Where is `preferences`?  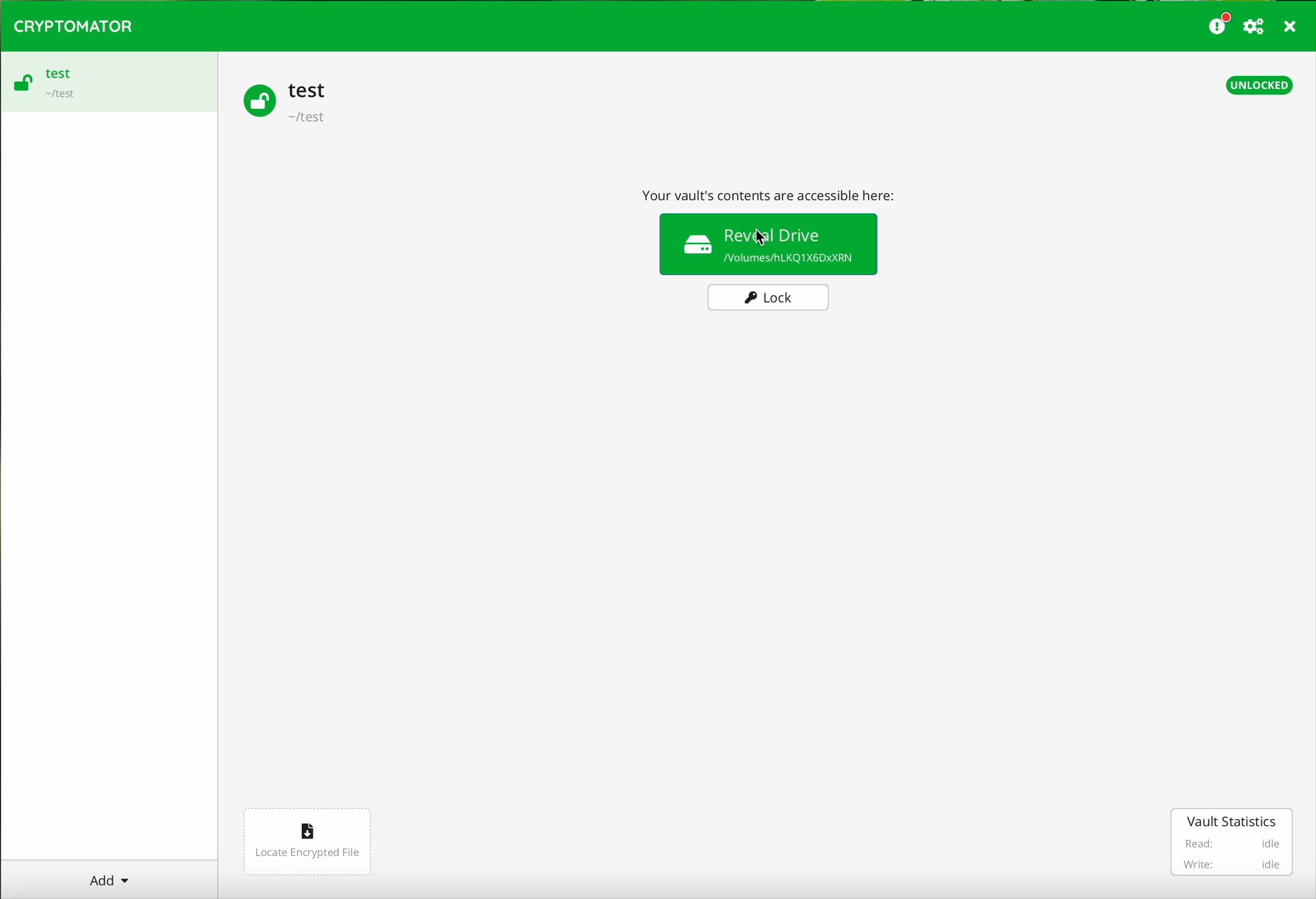
preferences is located at coordinates (1255, 27).